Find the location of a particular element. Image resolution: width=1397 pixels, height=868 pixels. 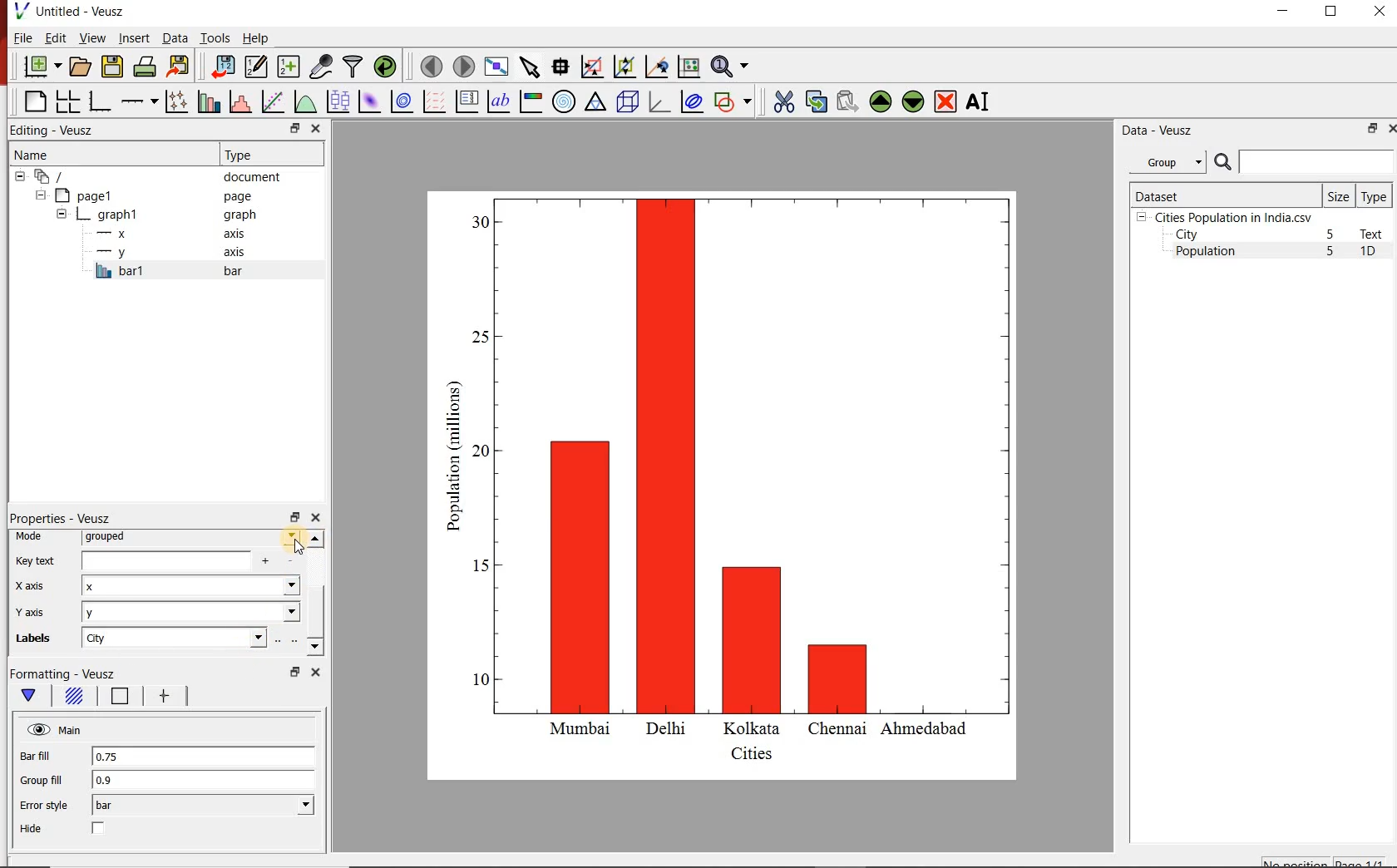

Cities Population in India.csv is located at coordinates (1232, 217).